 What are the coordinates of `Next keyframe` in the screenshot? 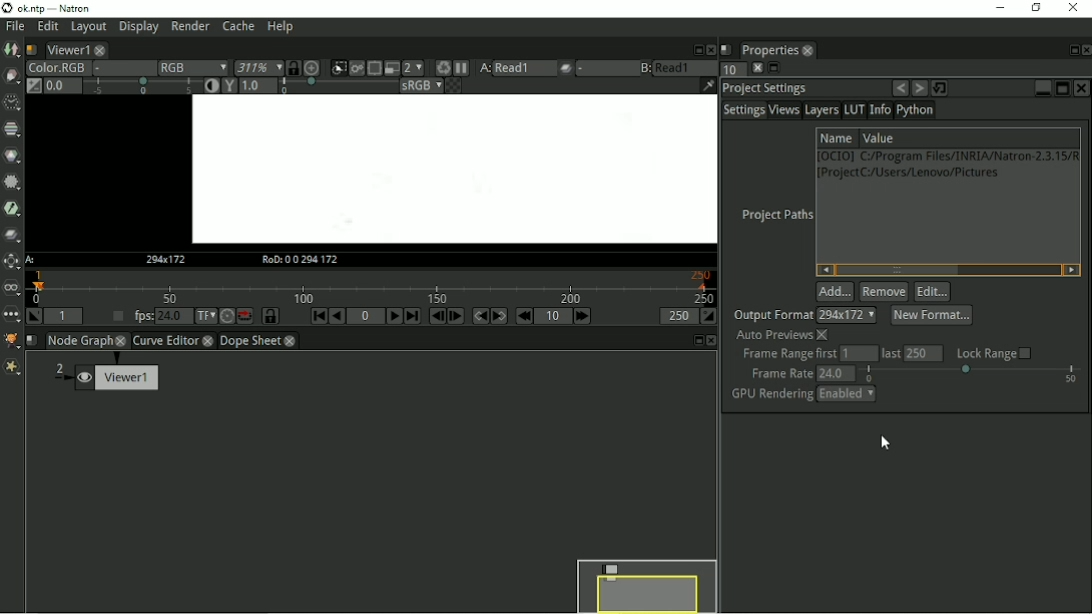 It's located at (502, 316).